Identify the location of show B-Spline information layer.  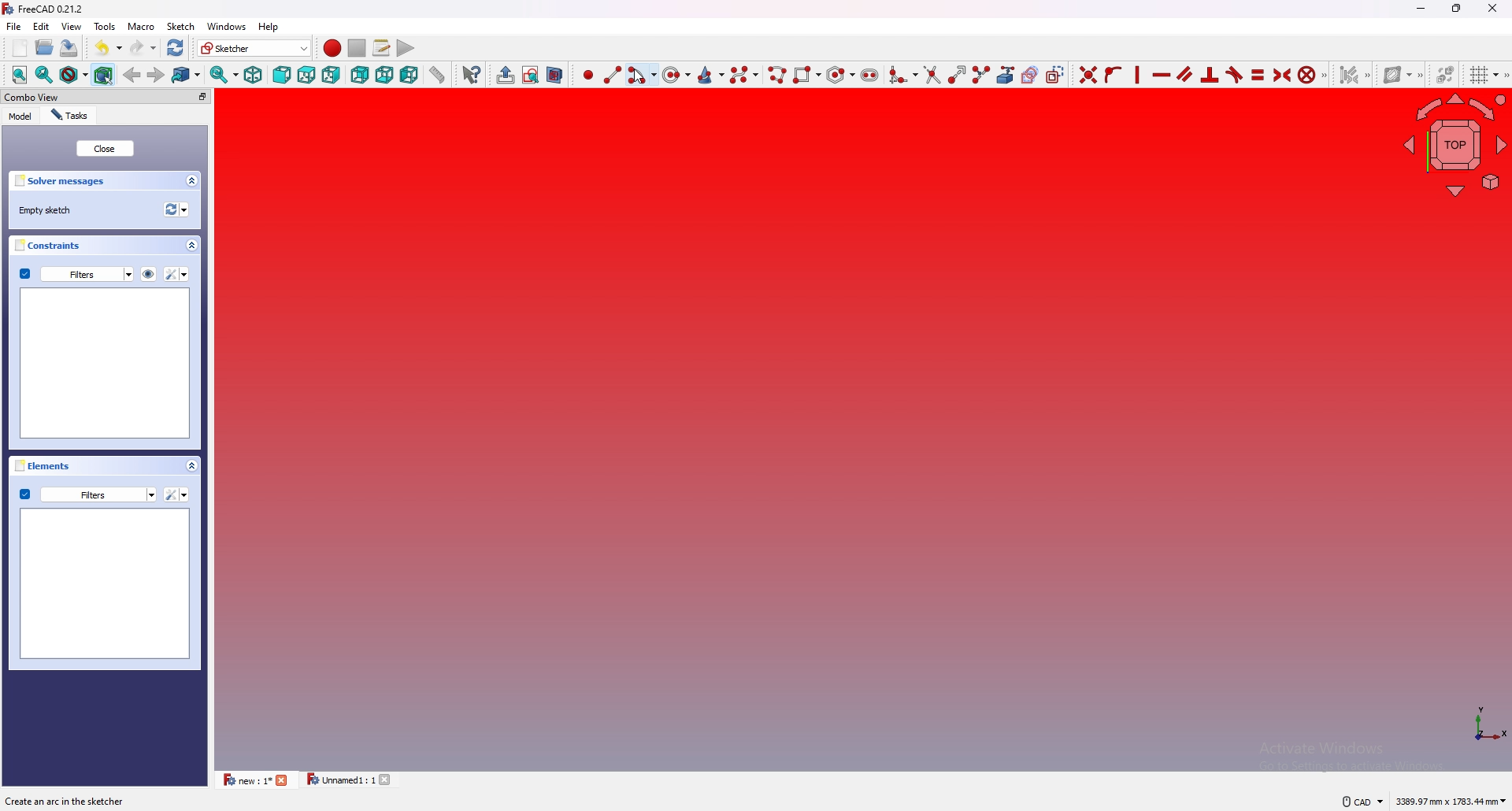
(1399, 75).